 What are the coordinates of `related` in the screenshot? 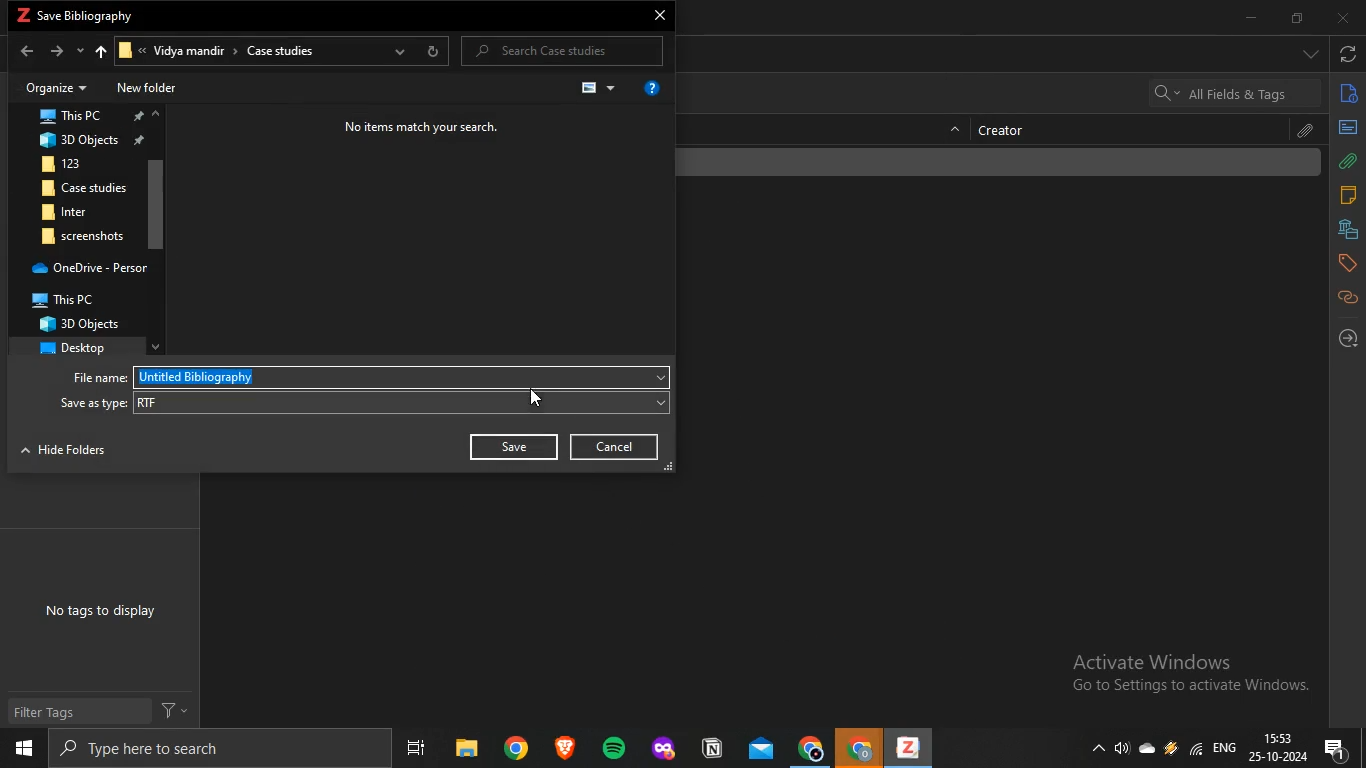 It's located at (1347, 298).